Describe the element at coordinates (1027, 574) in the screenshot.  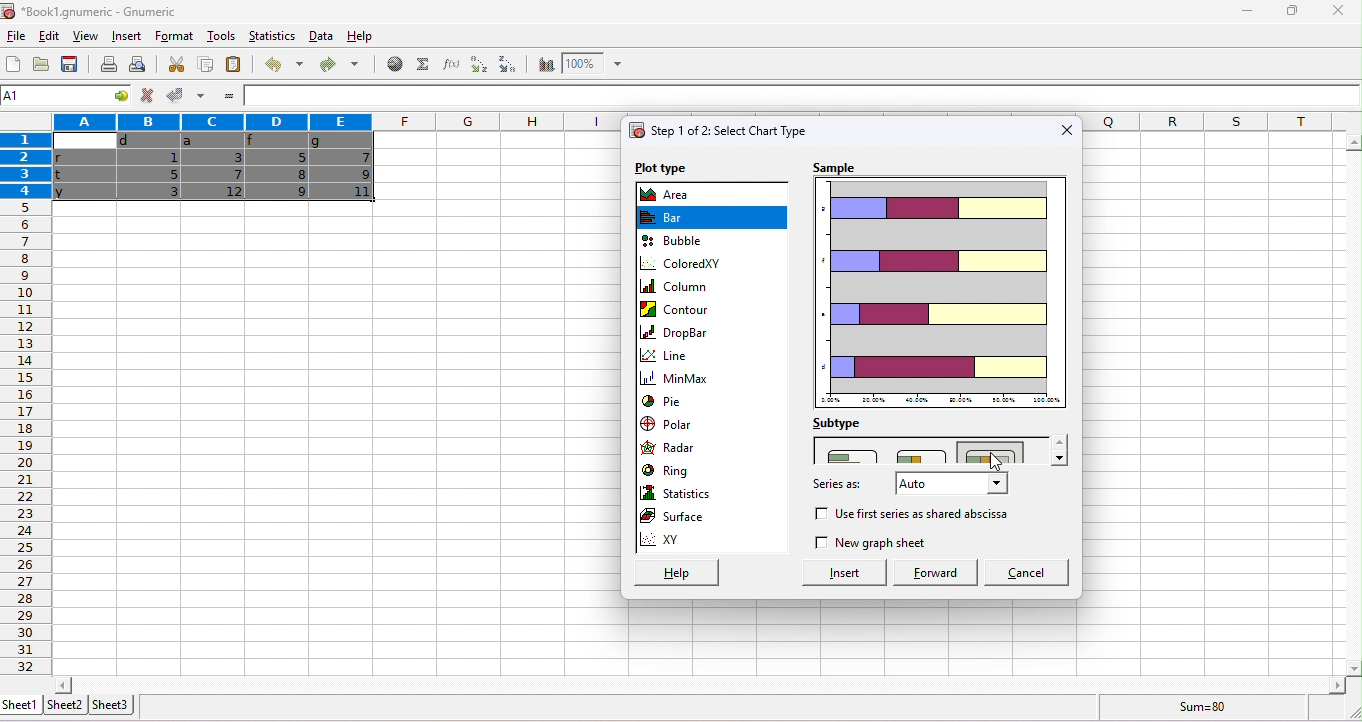
I see `cancel` at that location.